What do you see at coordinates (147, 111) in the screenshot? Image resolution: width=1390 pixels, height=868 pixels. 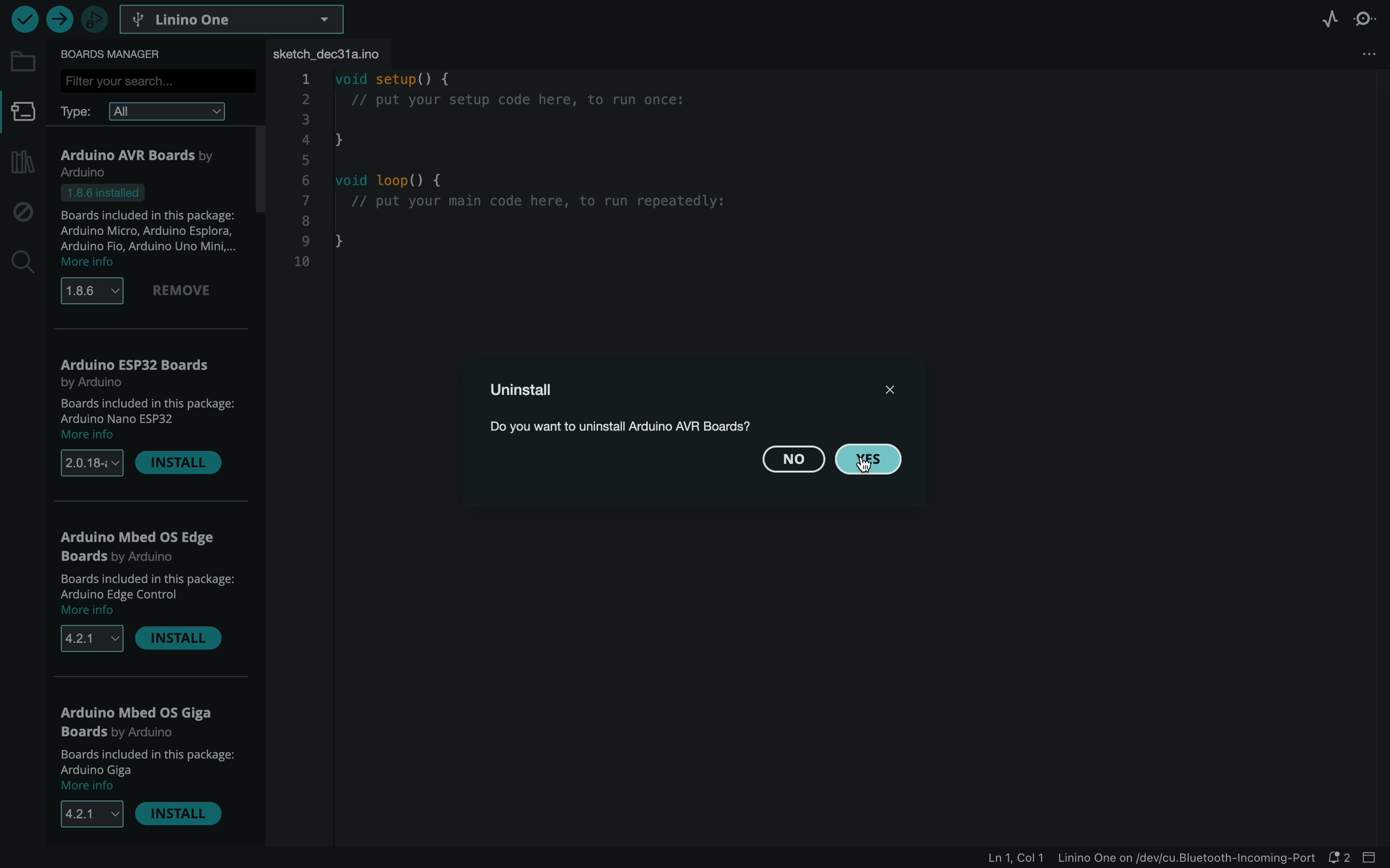 I see `type filter` at bounding box center [147, 111].